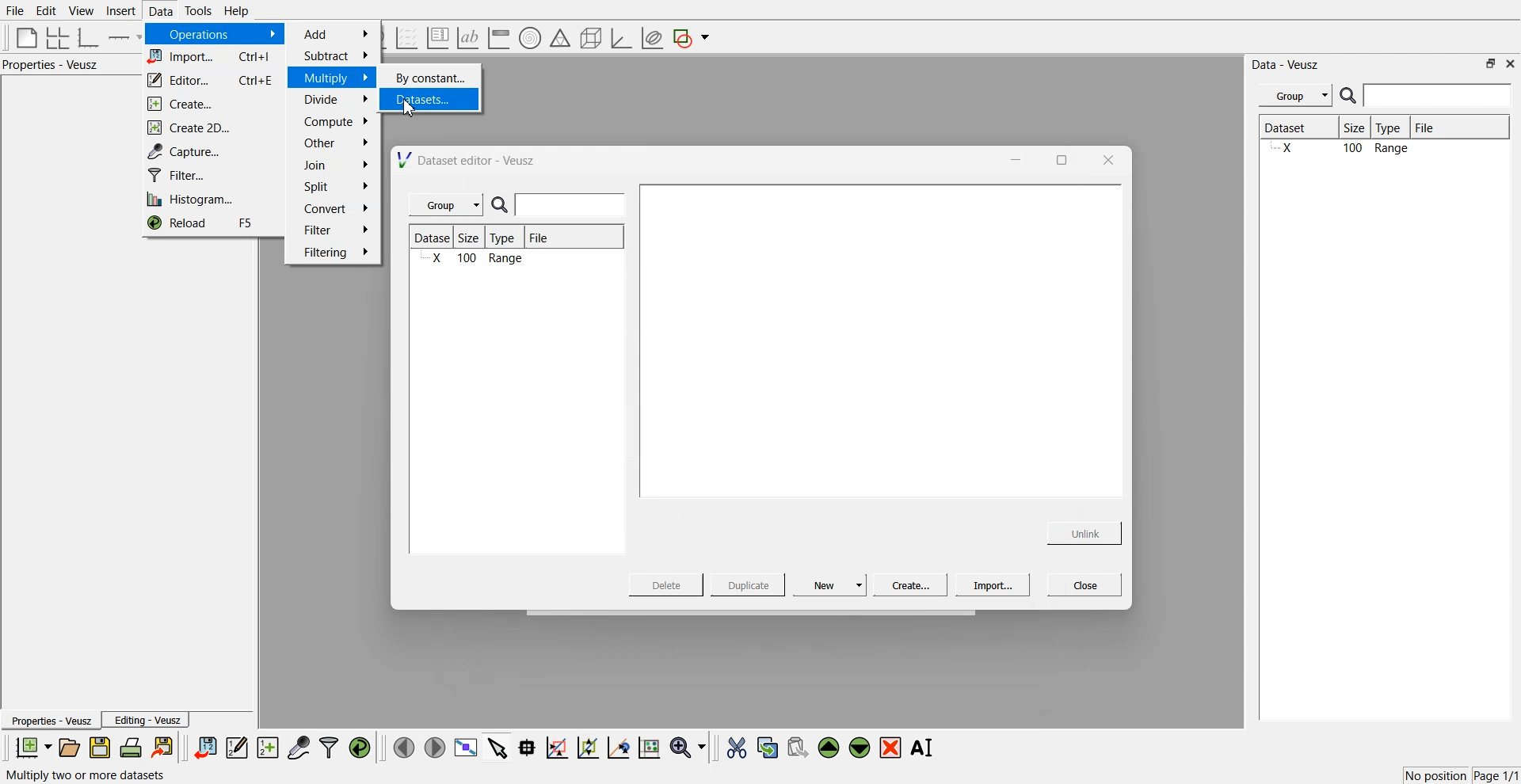  What do you see at coordinates (360, 748) in the screenshot?
I see `reload the data points` at bounding box center [360, 748].